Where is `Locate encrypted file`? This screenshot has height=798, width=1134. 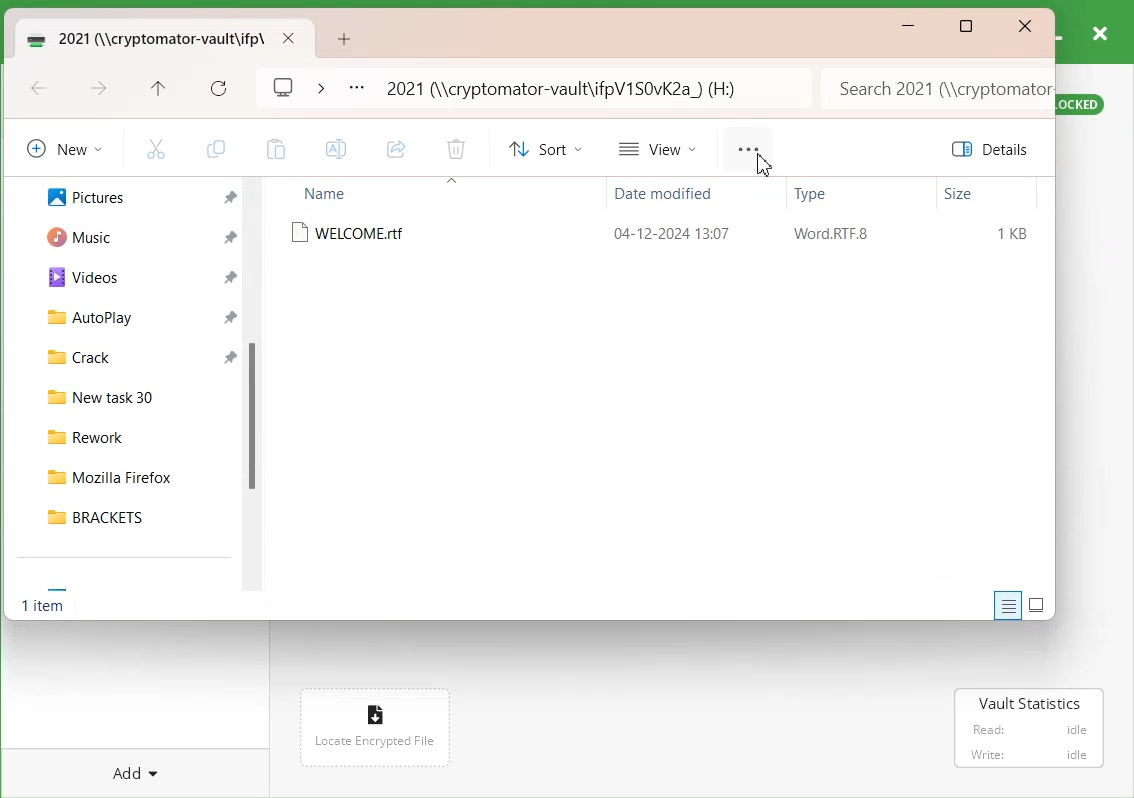 Locate encrypted file is located at coordinates (368, 741).